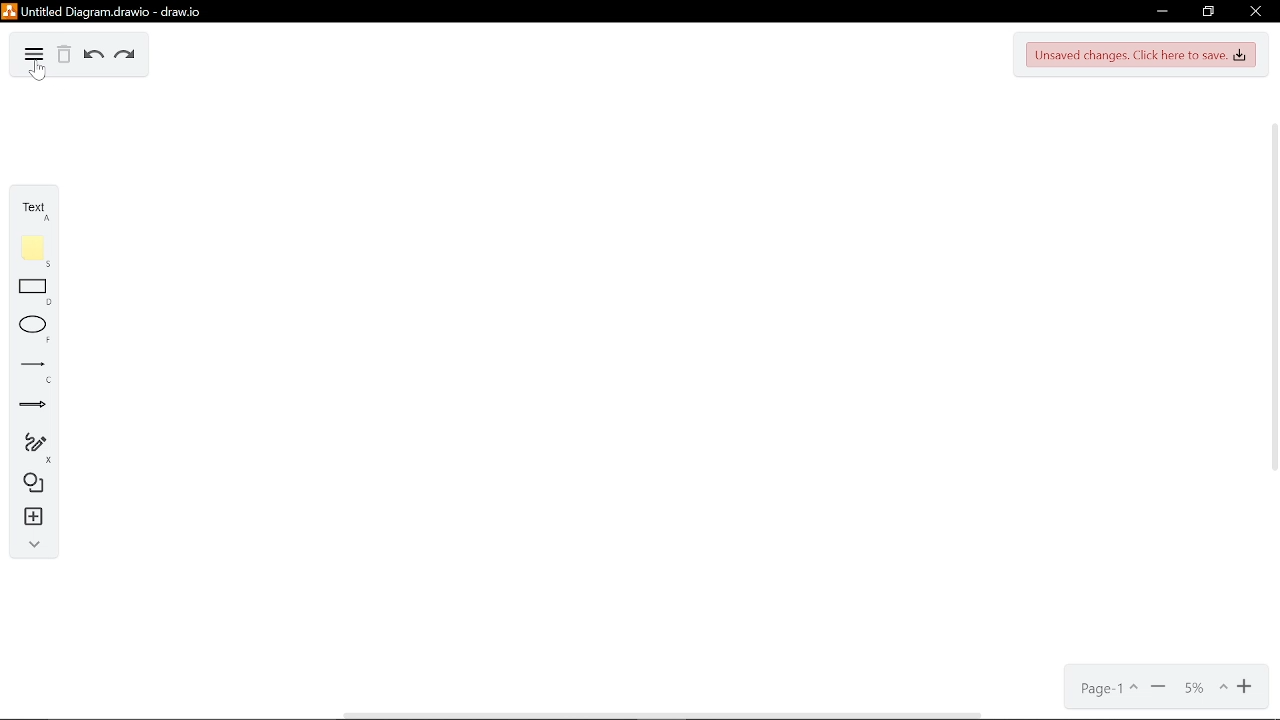 This screenshot has width=1280, height=720. Describe the element at coordinates (1204, 689) in the screenshot. I see `Current zoom` at that location.